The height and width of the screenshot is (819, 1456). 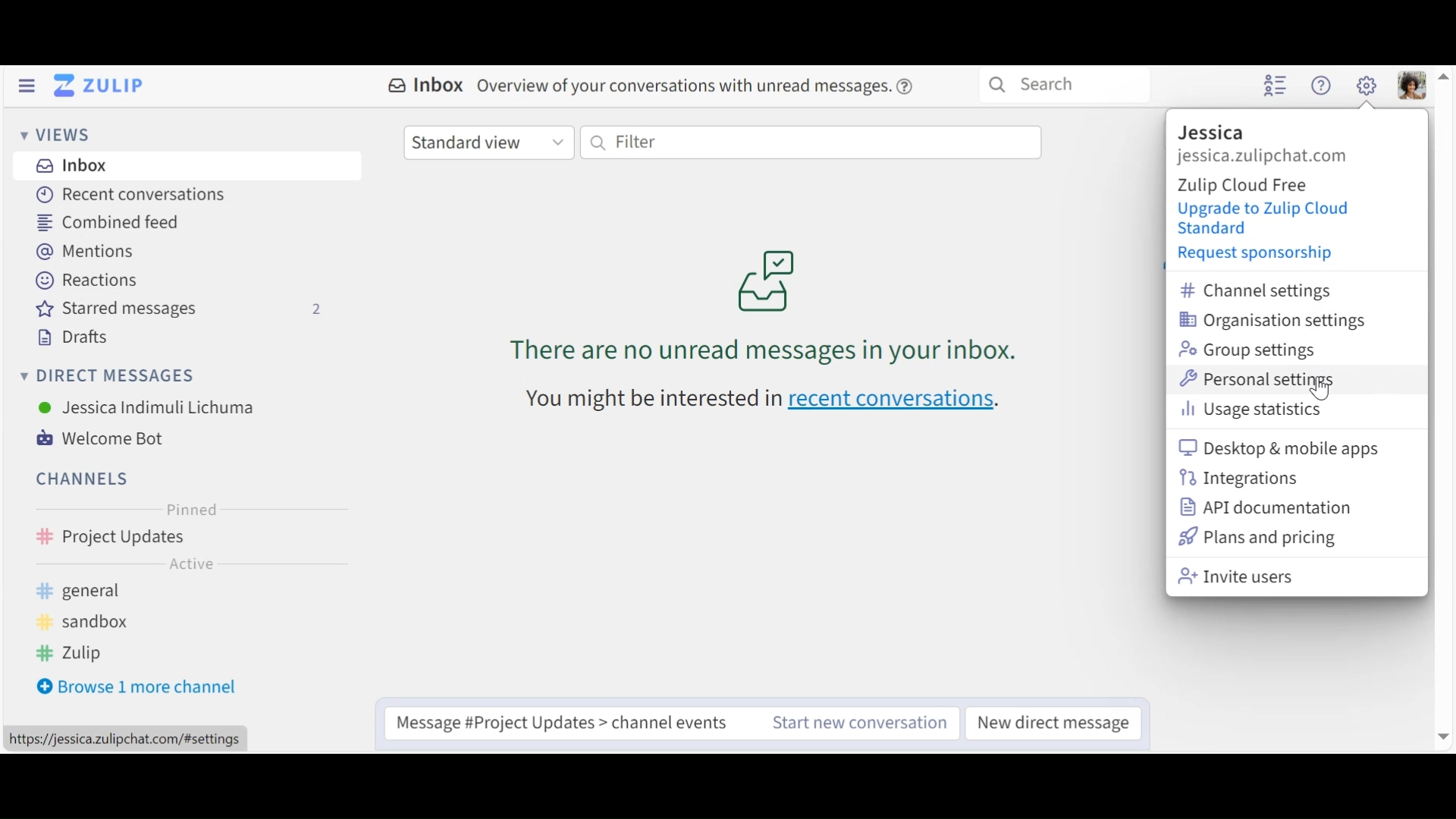 I want to click on recent conversations, so click(x=767, y=400).